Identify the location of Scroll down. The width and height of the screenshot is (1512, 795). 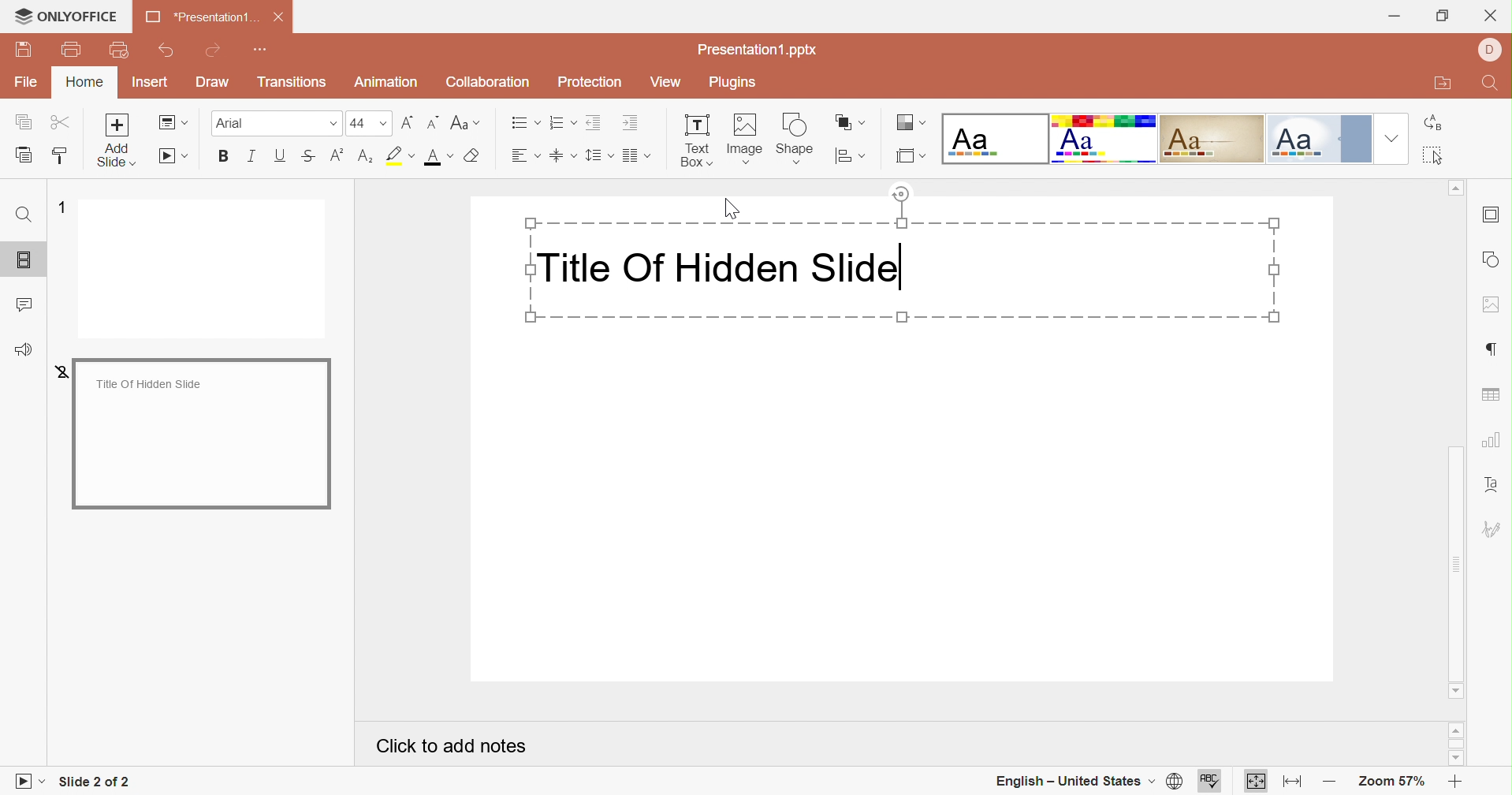
(1454, 692).